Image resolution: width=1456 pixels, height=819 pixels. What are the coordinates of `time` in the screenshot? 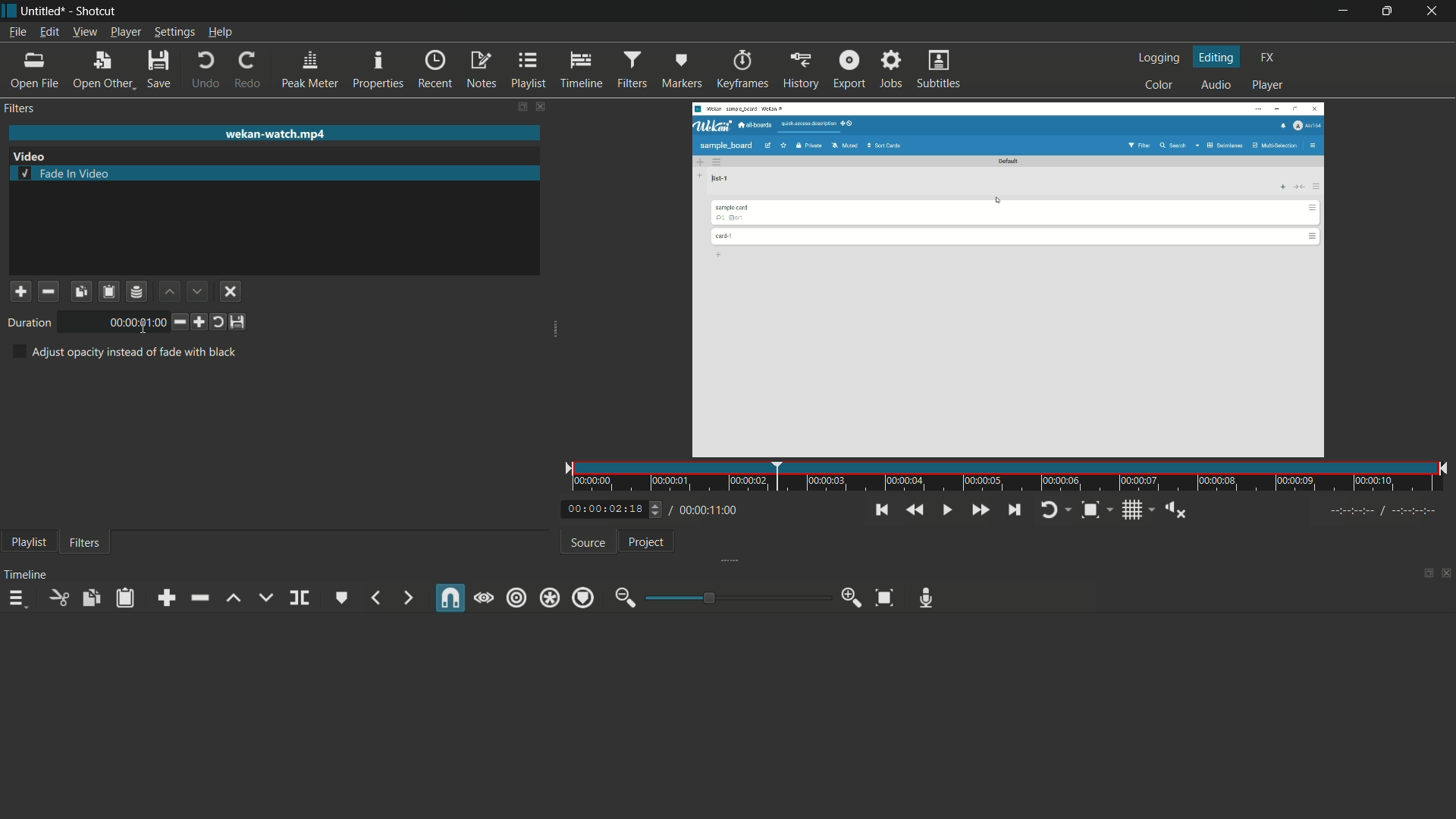 It's located at (132, 322).